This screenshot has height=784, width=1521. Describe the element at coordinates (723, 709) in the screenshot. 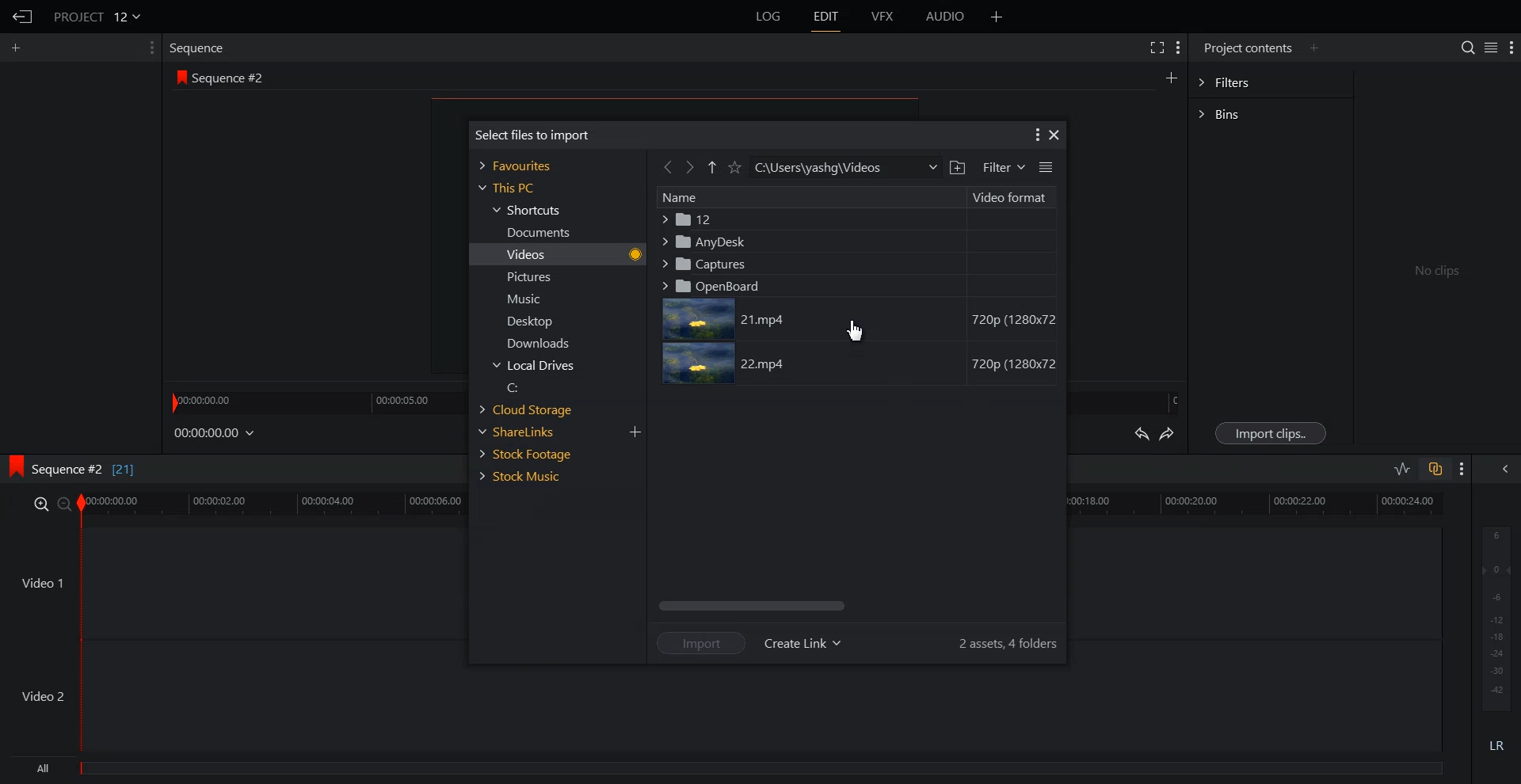

I see `Video 2` at that location.